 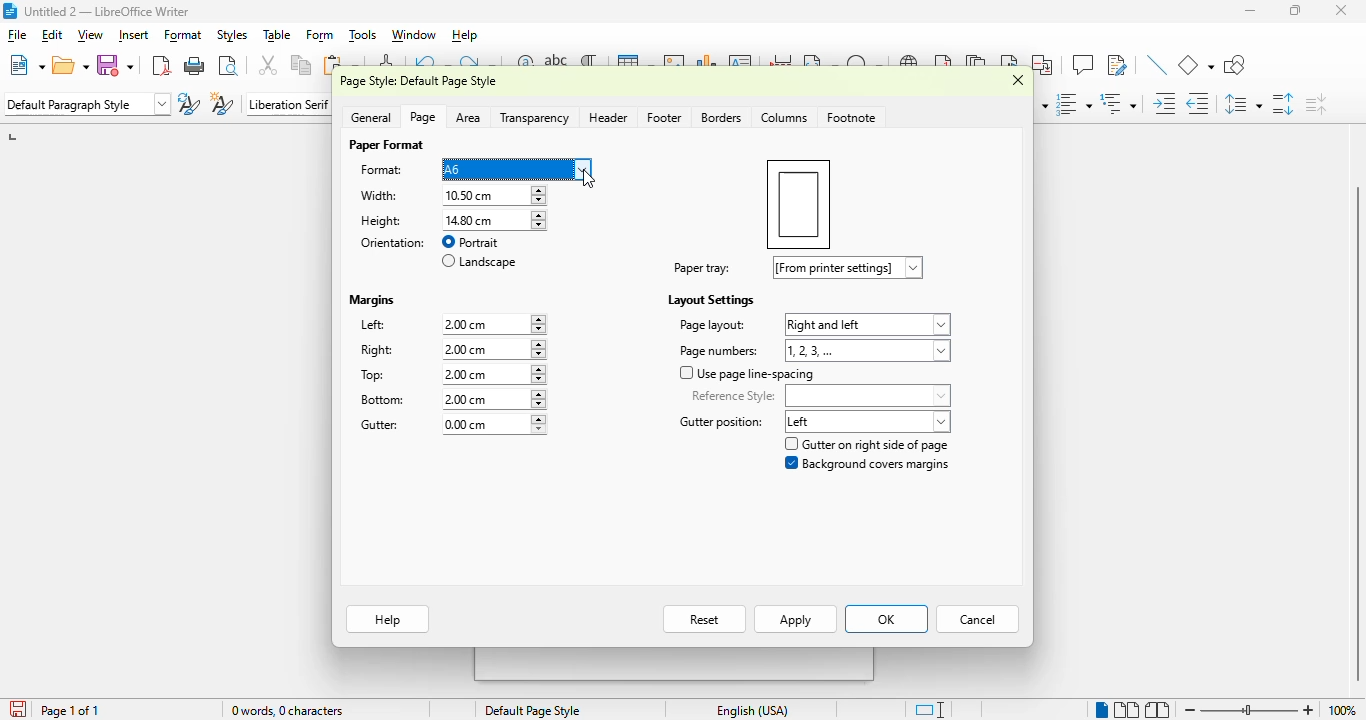 I want to click on gutter position: left, so click(x=813, y=422).